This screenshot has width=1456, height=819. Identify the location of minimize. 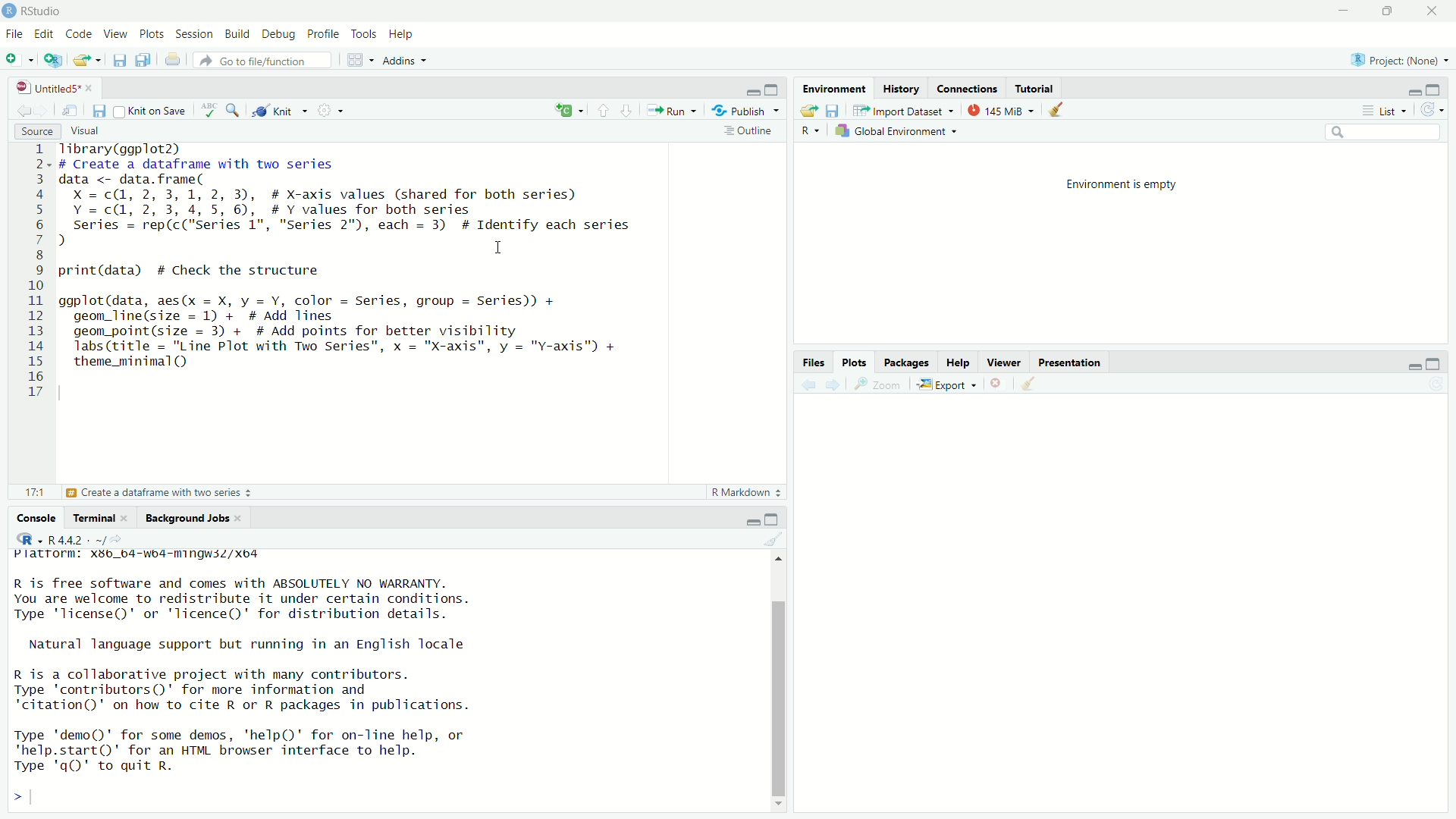
(1414, 93).